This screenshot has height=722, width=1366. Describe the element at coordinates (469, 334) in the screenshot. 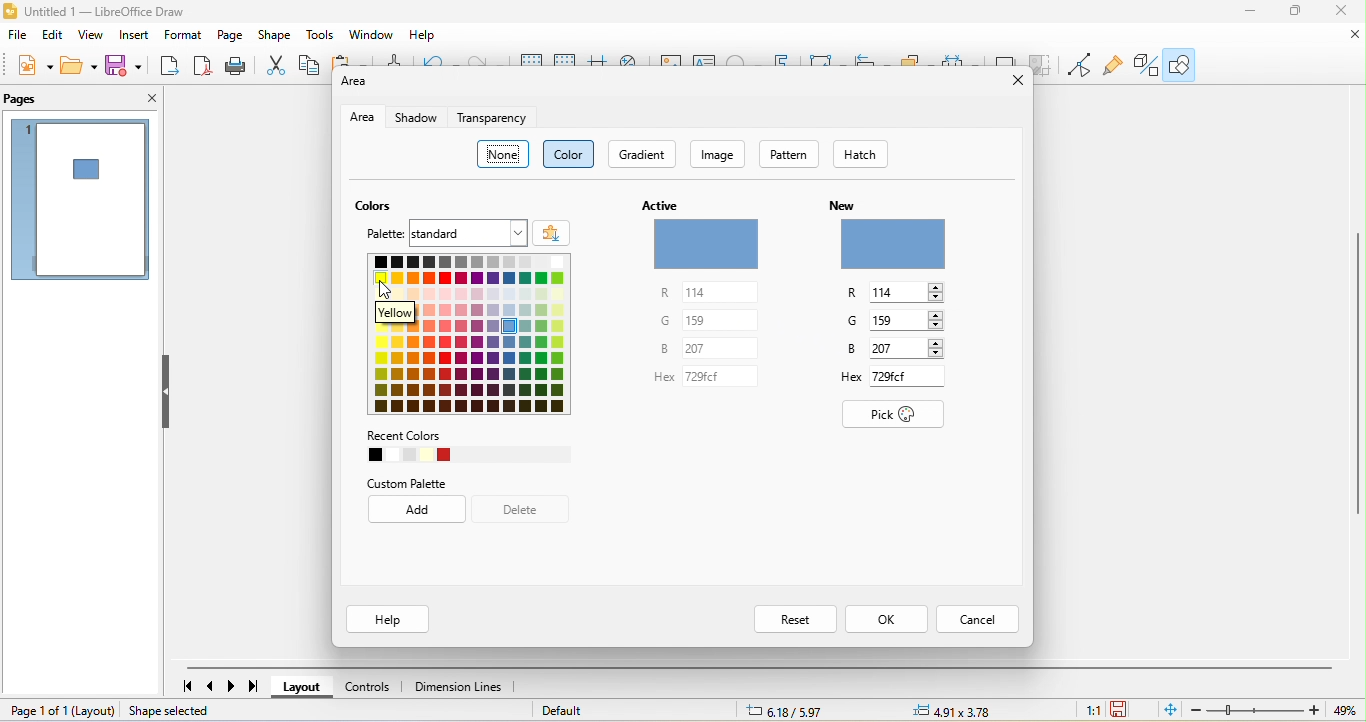

I see `color` at that location.